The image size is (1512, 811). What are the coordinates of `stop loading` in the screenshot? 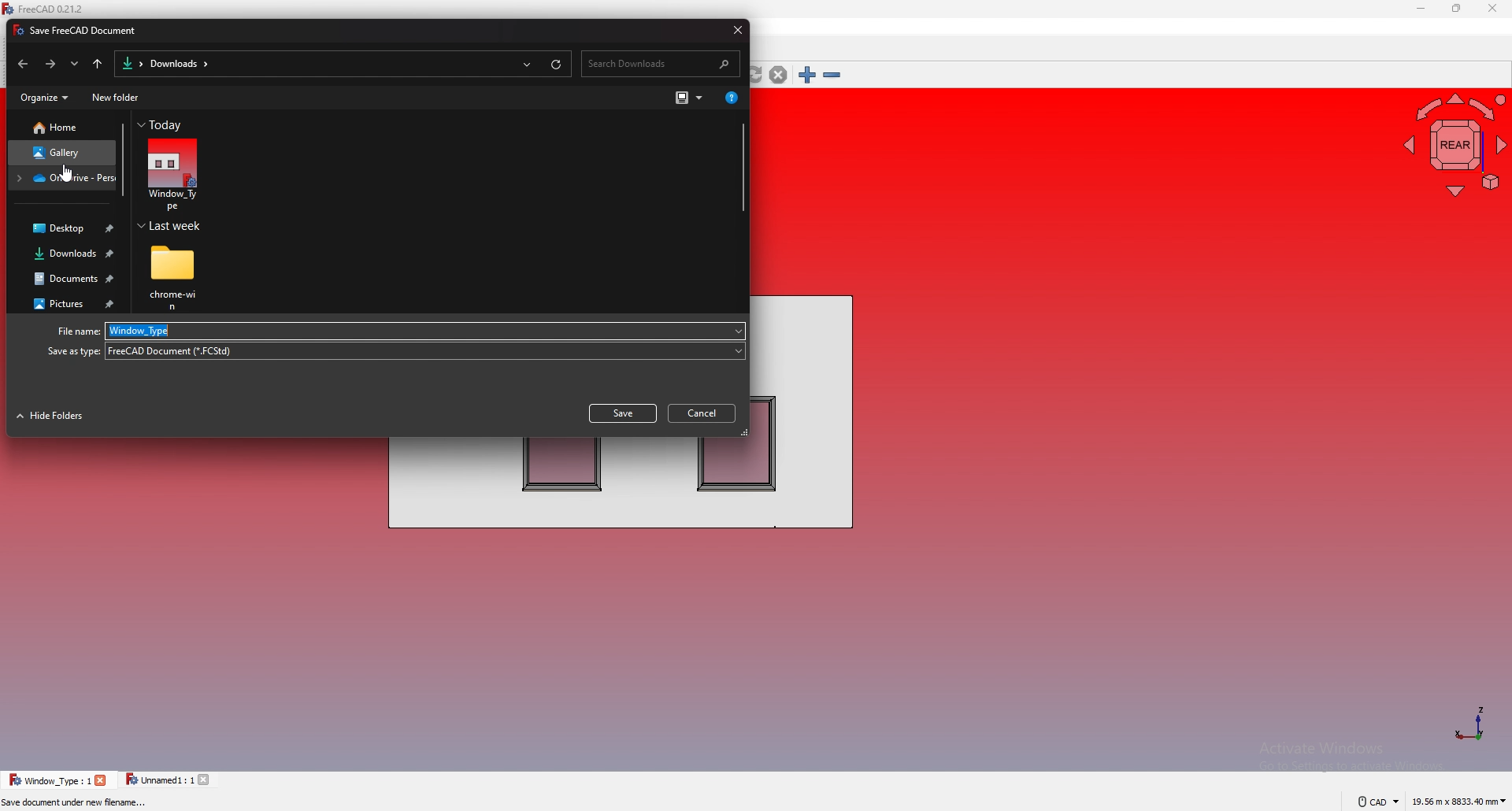 It's located at (778, 75).